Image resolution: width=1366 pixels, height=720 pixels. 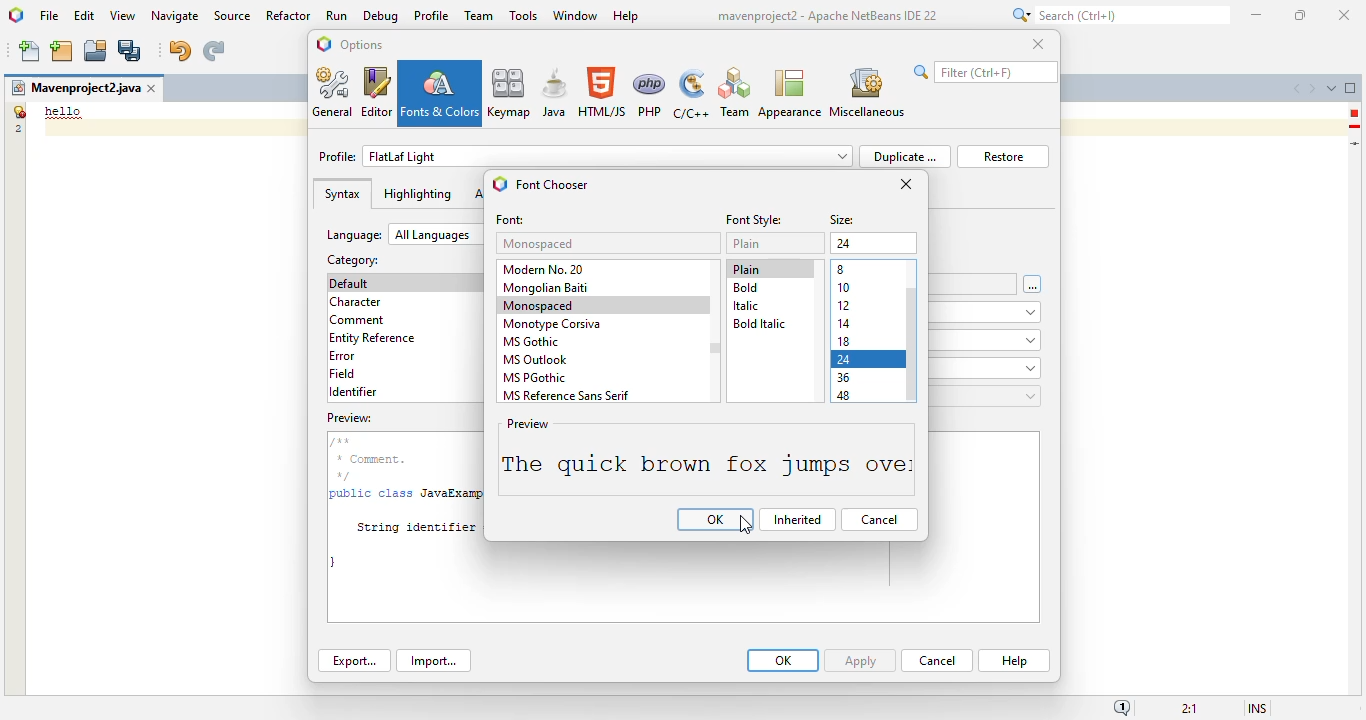 What do you see at coordinates (842, 270) in the screenshot?
I see `8` at bounding box center [842, 270].